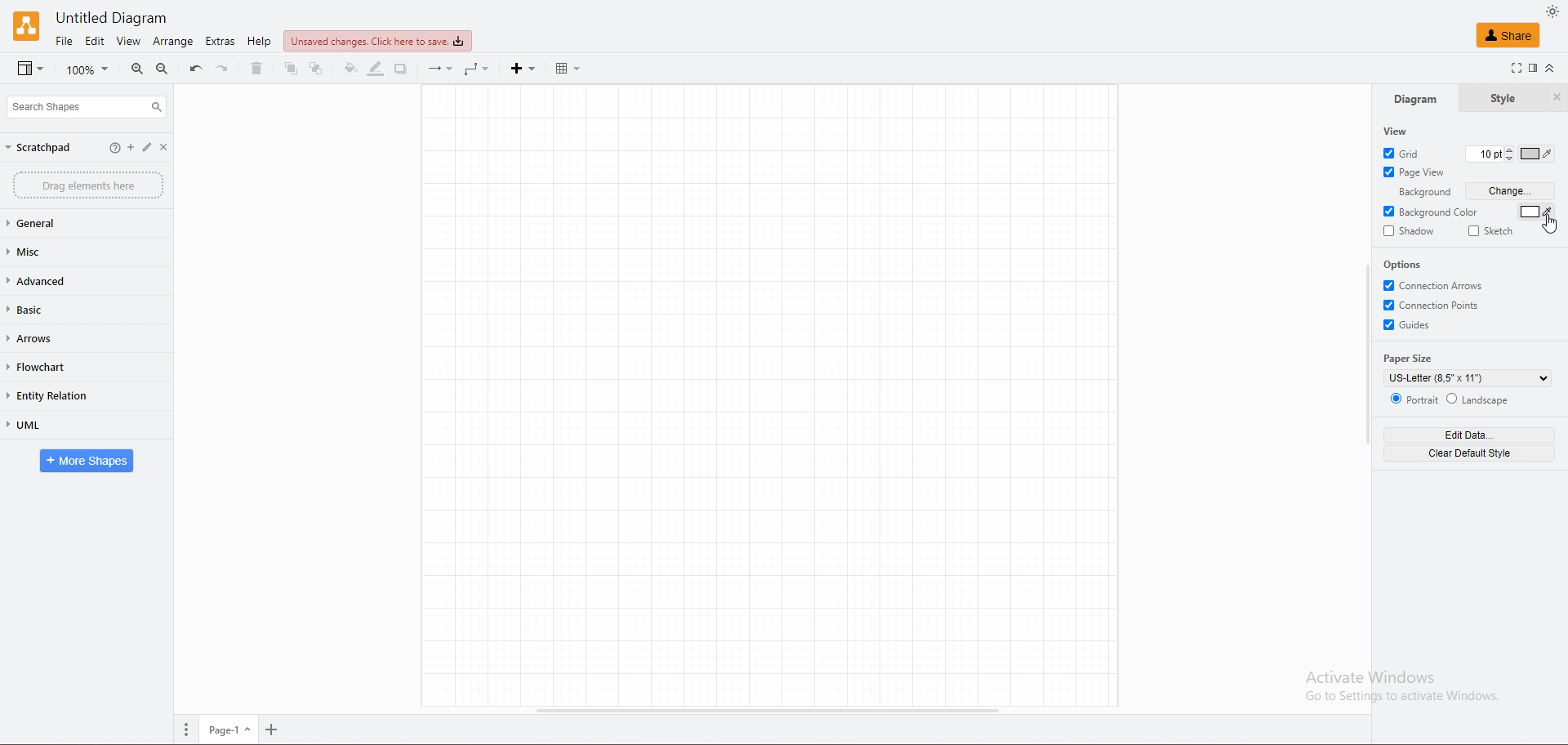 The image size is (1568, 745). Describe the element at coordinates (1508, 34) in the screenshot. I see `share` at that location.